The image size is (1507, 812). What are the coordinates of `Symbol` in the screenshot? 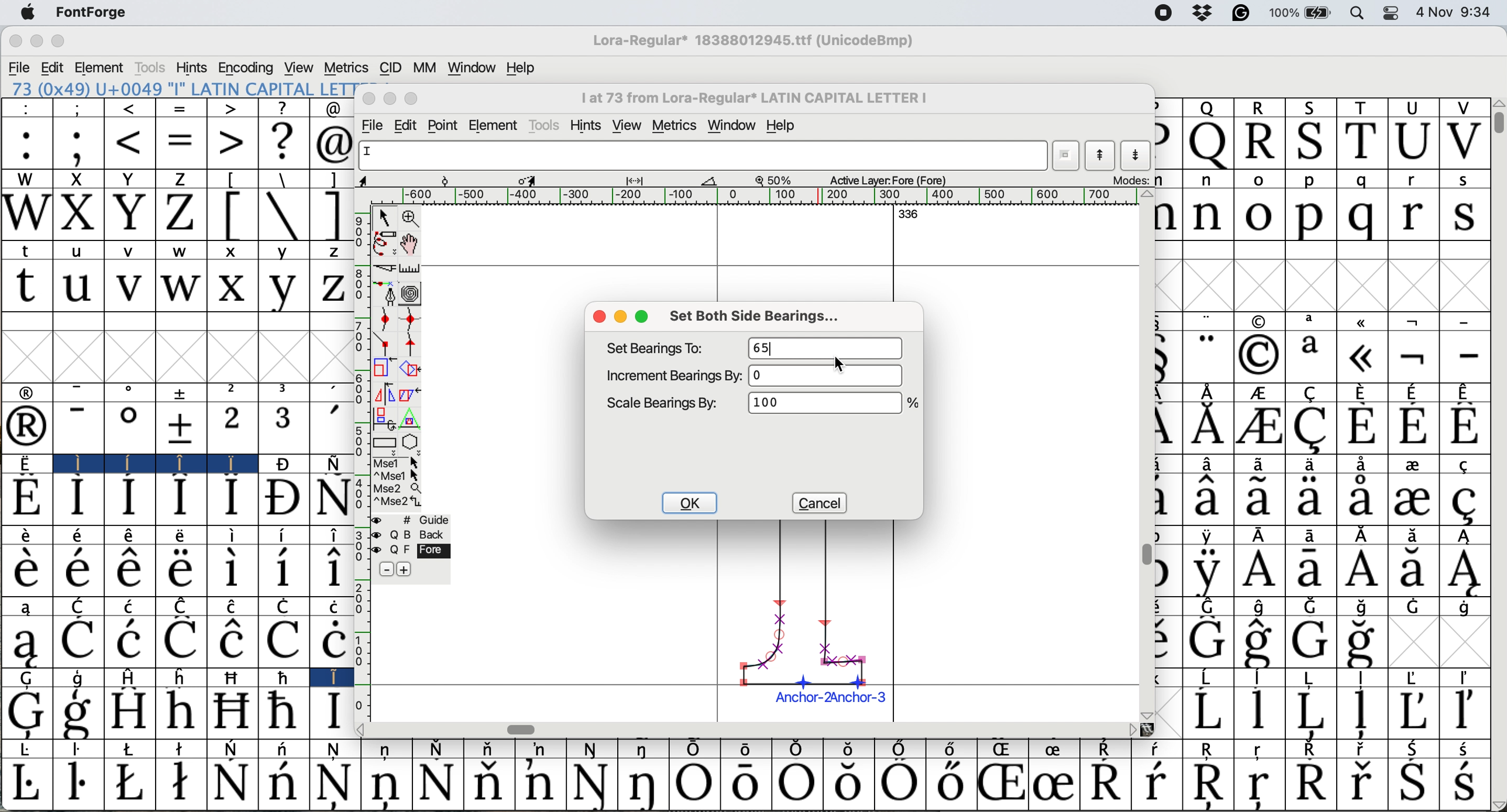 It's located at (643, 751).